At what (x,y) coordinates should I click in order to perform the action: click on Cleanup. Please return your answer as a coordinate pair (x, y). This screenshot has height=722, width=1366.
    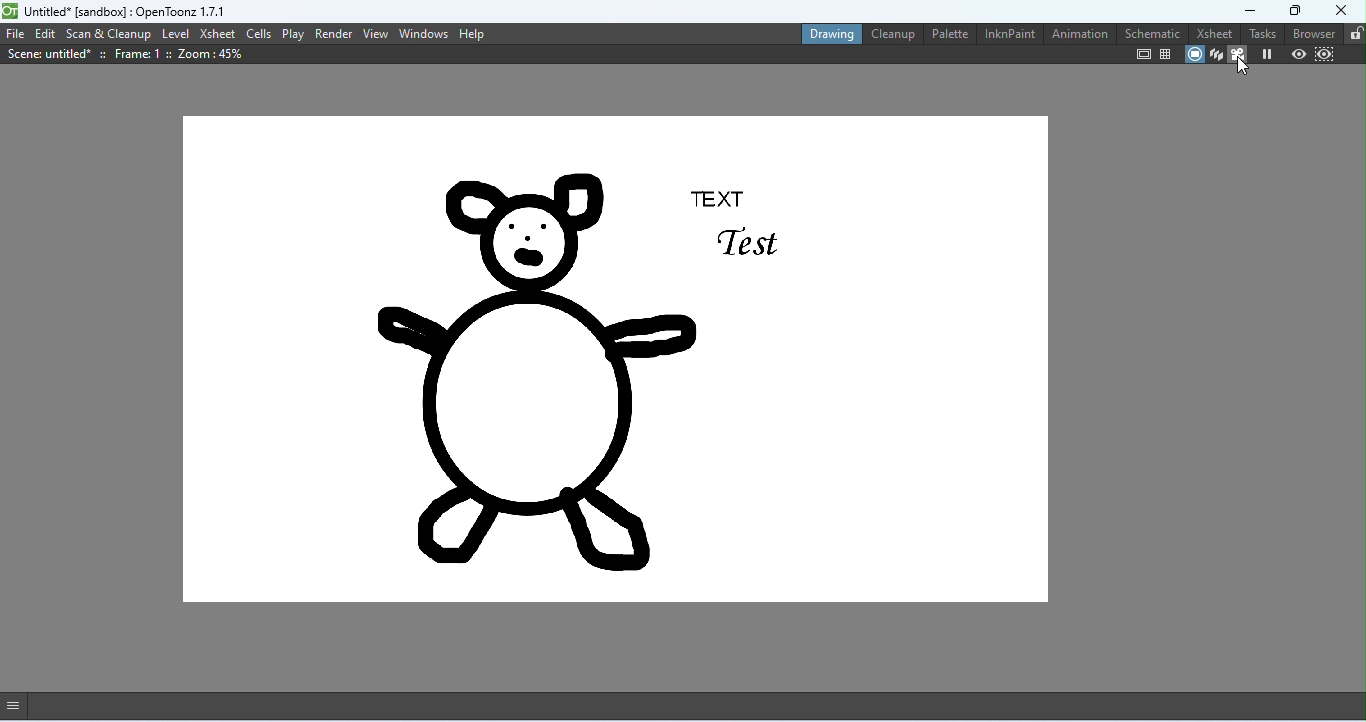
    Looking at the image, I should click on (891, 36).